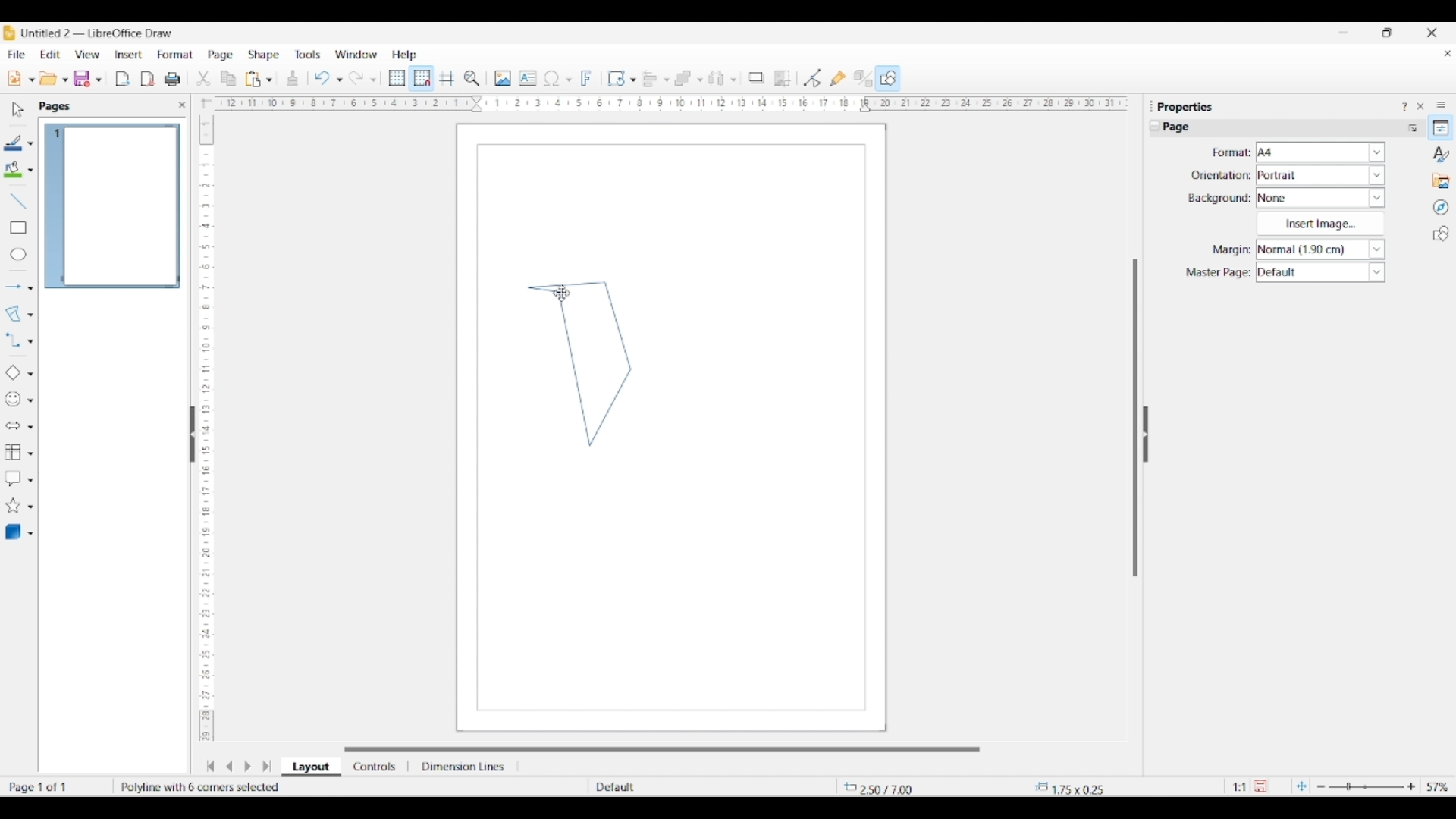 Image resolution: width=1456 pixels, height=819 pixels. Describe the element at coordinates (1386, 33) in the screenshot. I see `Show interface in smaller tab` at that location.